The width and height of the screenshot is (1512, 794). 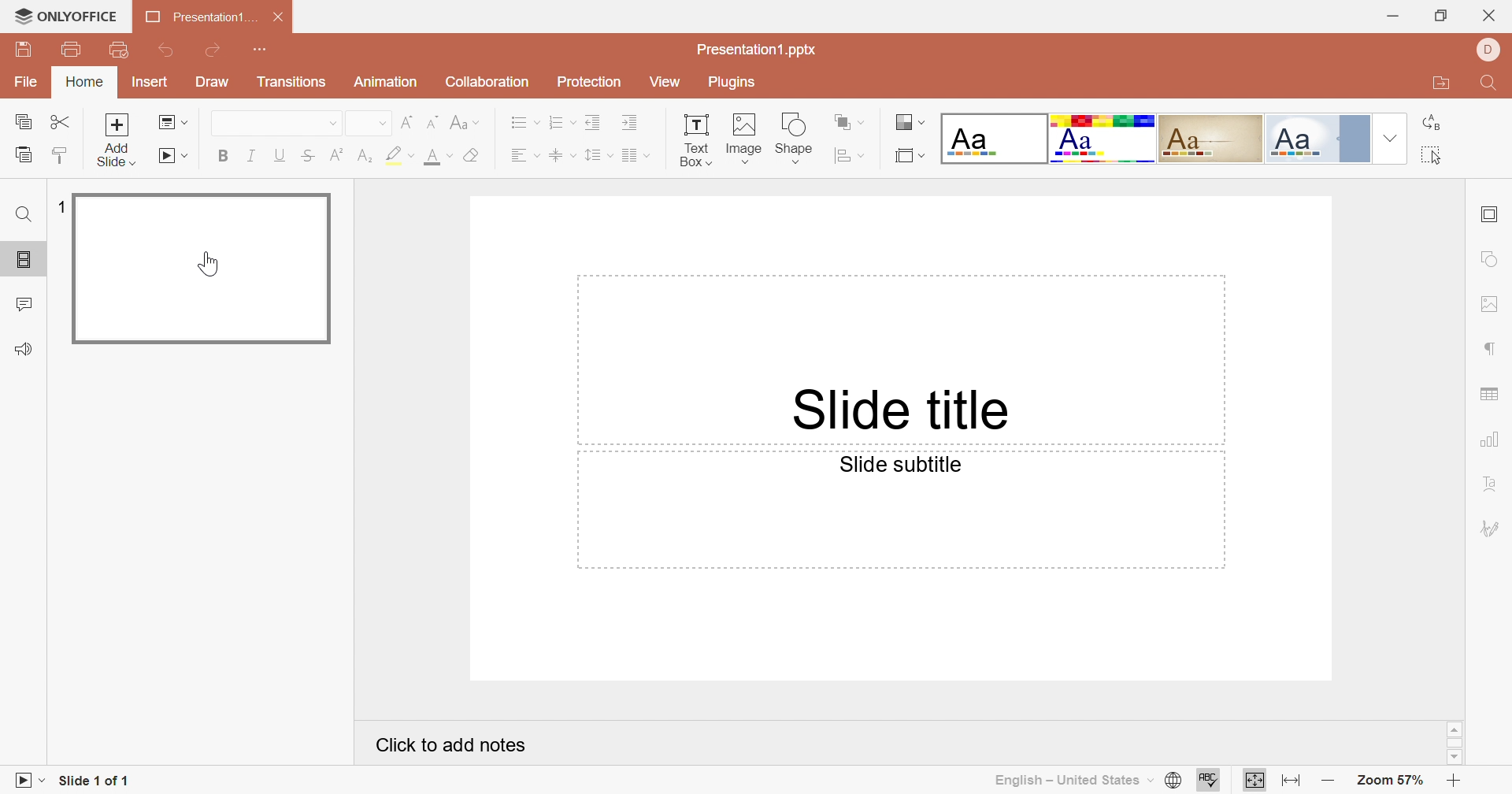 What do you see at coordinates (1494, 396) in the screenshot?
I see `table settings` at bounding box center [1494, 396].